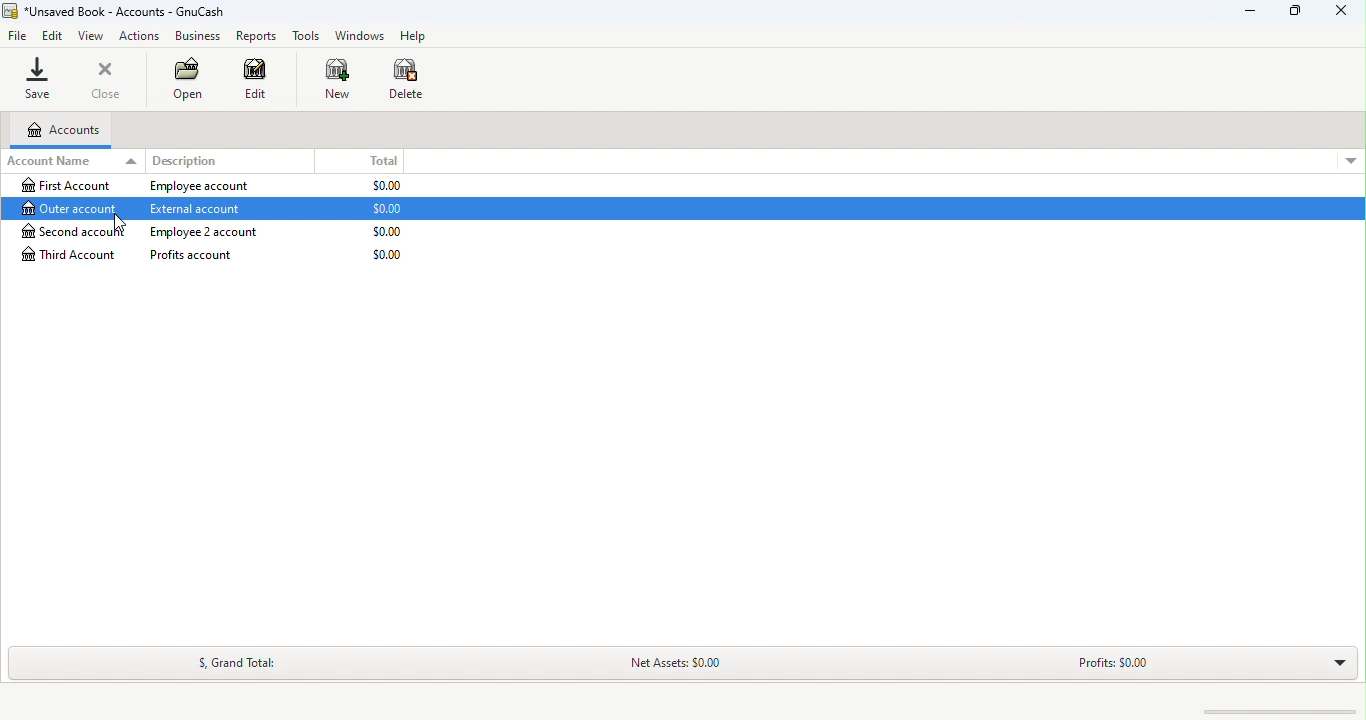 The height and width of the screenshot is (720, 1366). What do you see at coordinates (218, 186) in the screenshot?
I see `First account` at bounding box center [218, 186].